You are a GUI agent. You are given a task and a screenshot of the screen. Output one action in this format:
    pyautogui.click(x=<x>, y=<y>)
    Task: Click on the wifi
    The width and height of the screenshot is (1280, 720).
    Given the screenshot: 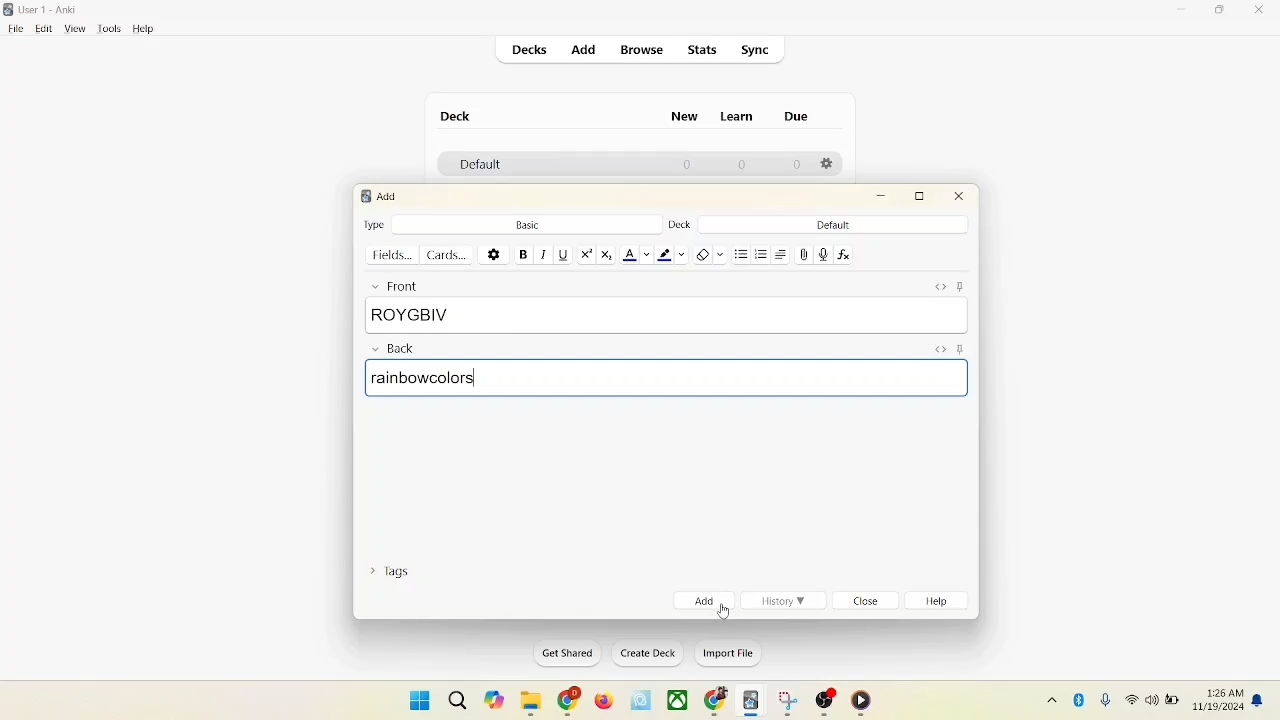 What is the action you would take?
    pyautogui.click(x=1130, y=699)
    